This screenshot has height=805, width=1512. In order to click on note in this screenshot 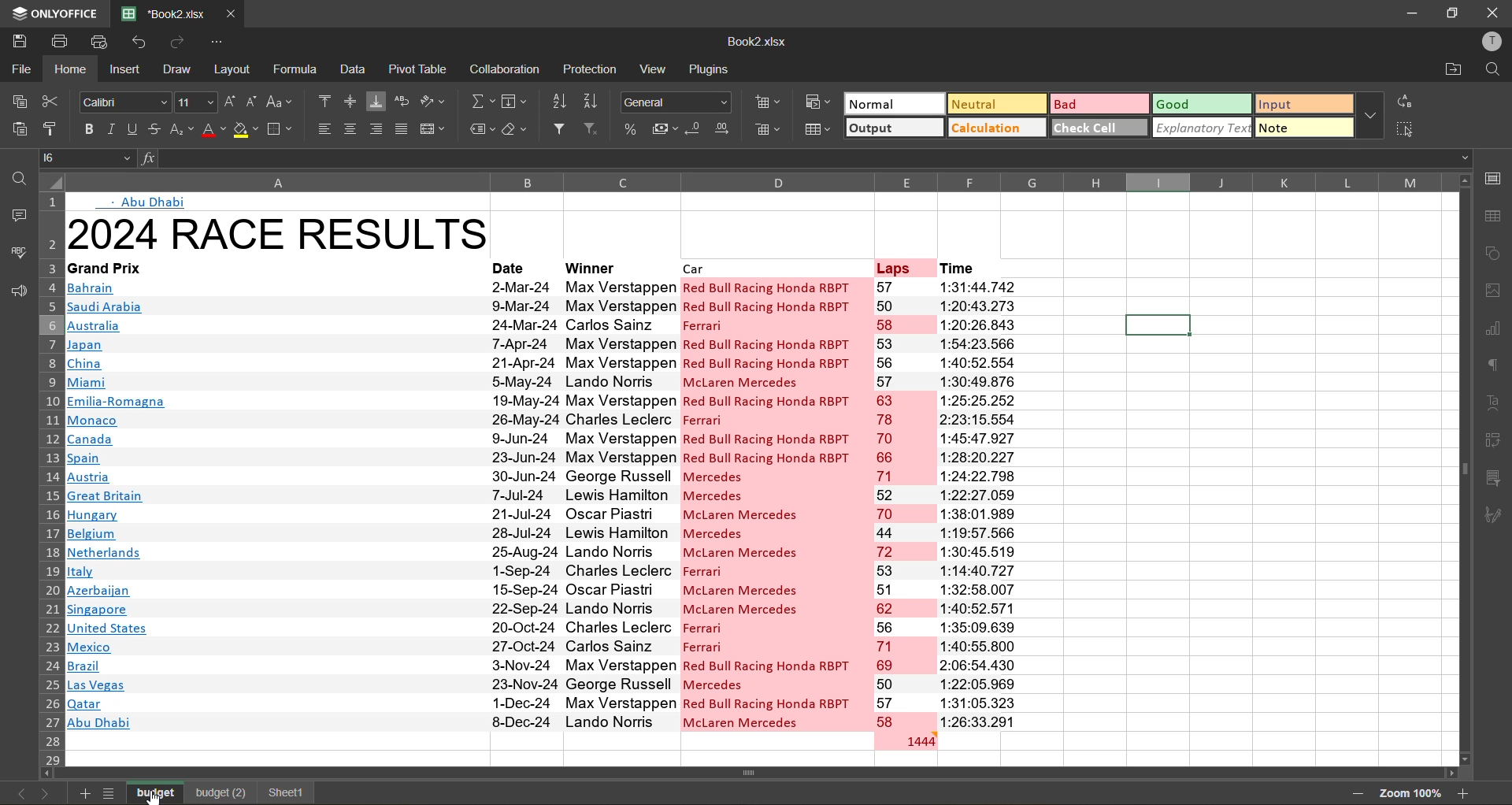, I will do `click(1303, 126)`.